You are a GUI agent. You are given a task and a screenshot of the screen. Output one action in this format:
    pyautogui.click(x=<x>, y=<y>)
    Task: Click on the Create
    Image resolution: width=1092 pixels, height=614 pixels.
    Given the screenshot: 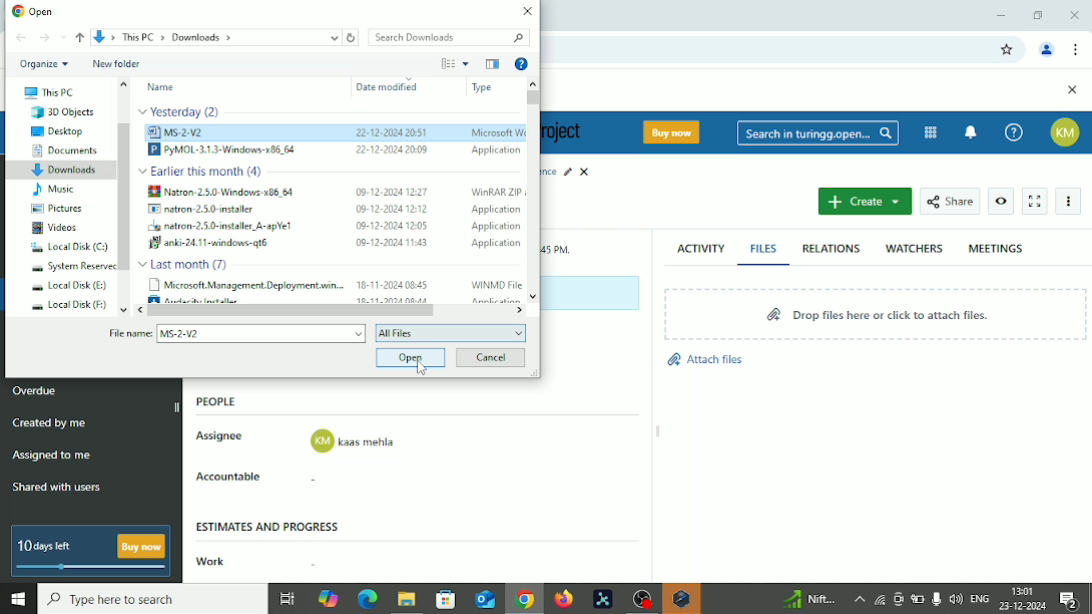 What is the action you would take?
    pyautogui.click(x=864, y=202)
    